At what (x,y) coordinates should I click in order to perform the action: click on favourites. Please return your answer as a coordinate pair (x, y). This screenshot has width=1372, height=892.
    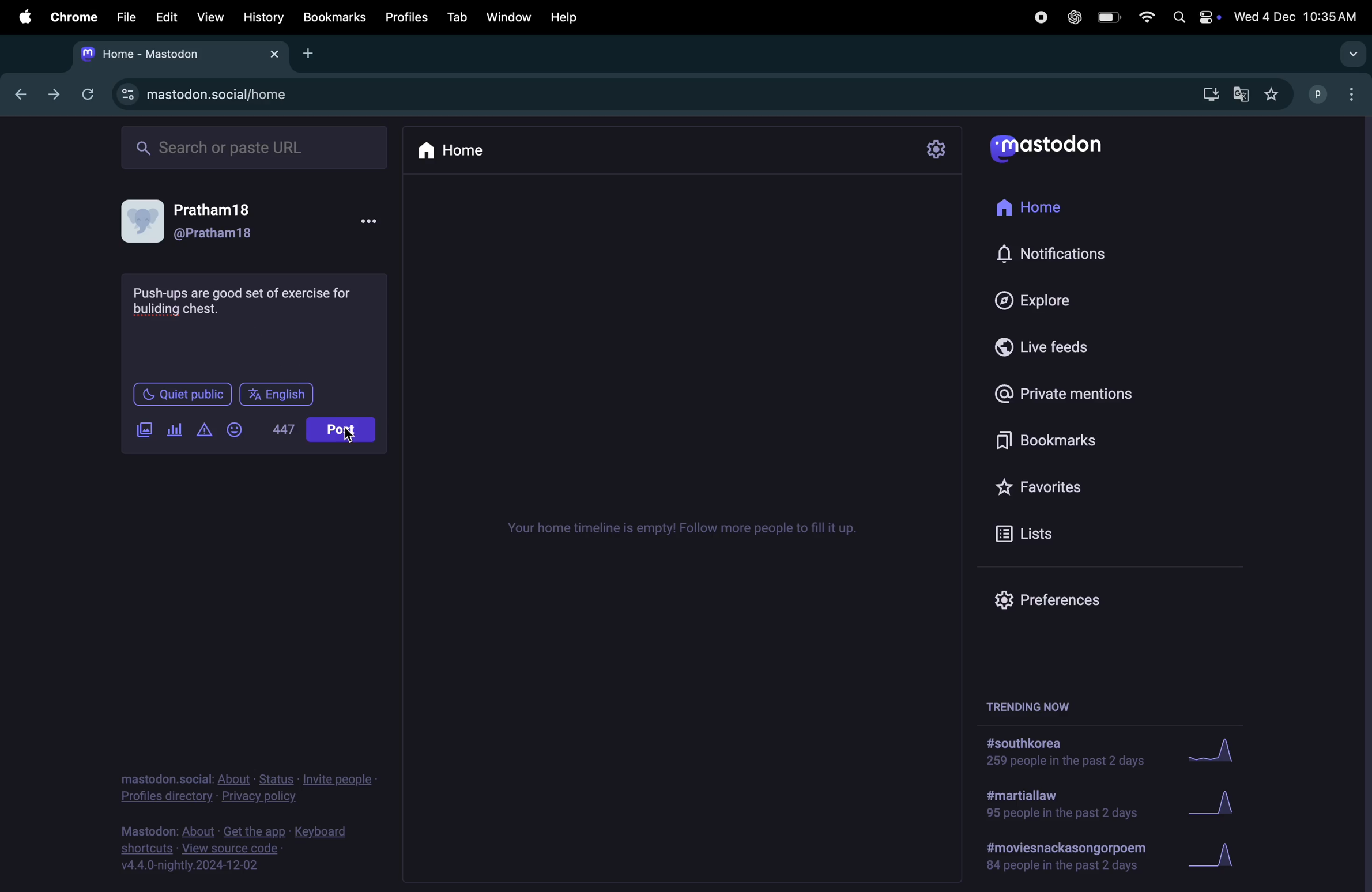
    Looking at the image, I should click on (1273, 94).